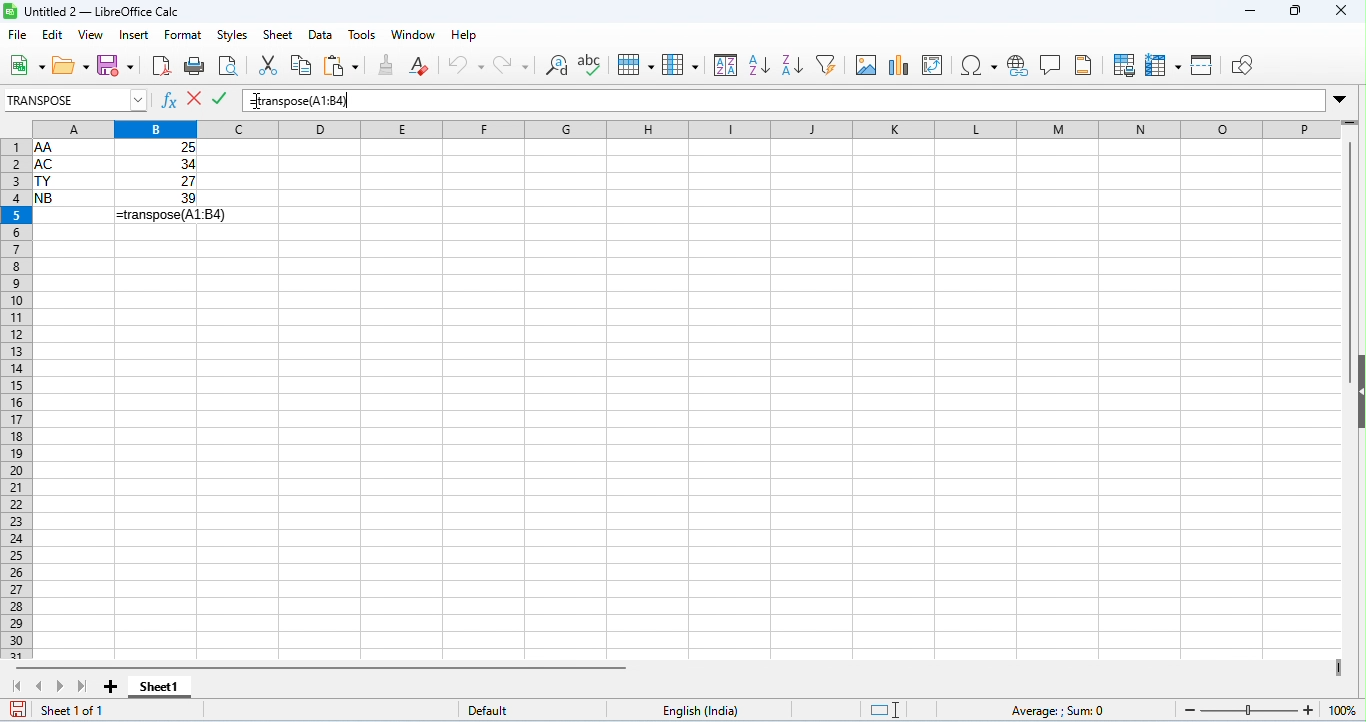  I want to click on split window, so click(1204, 65).